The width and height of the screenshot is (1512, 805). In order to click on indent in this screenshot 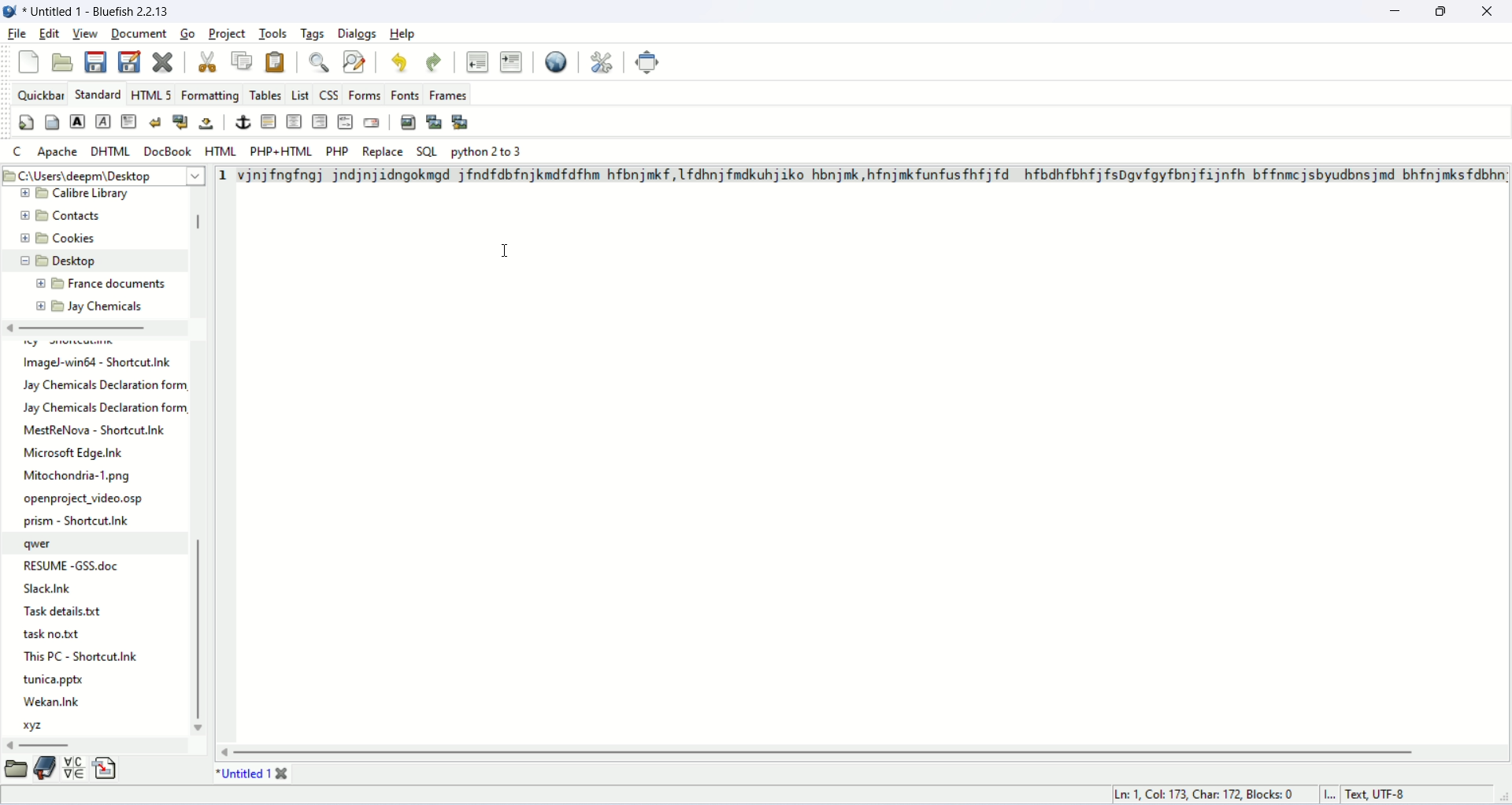, I will do `click(510, 61)`.